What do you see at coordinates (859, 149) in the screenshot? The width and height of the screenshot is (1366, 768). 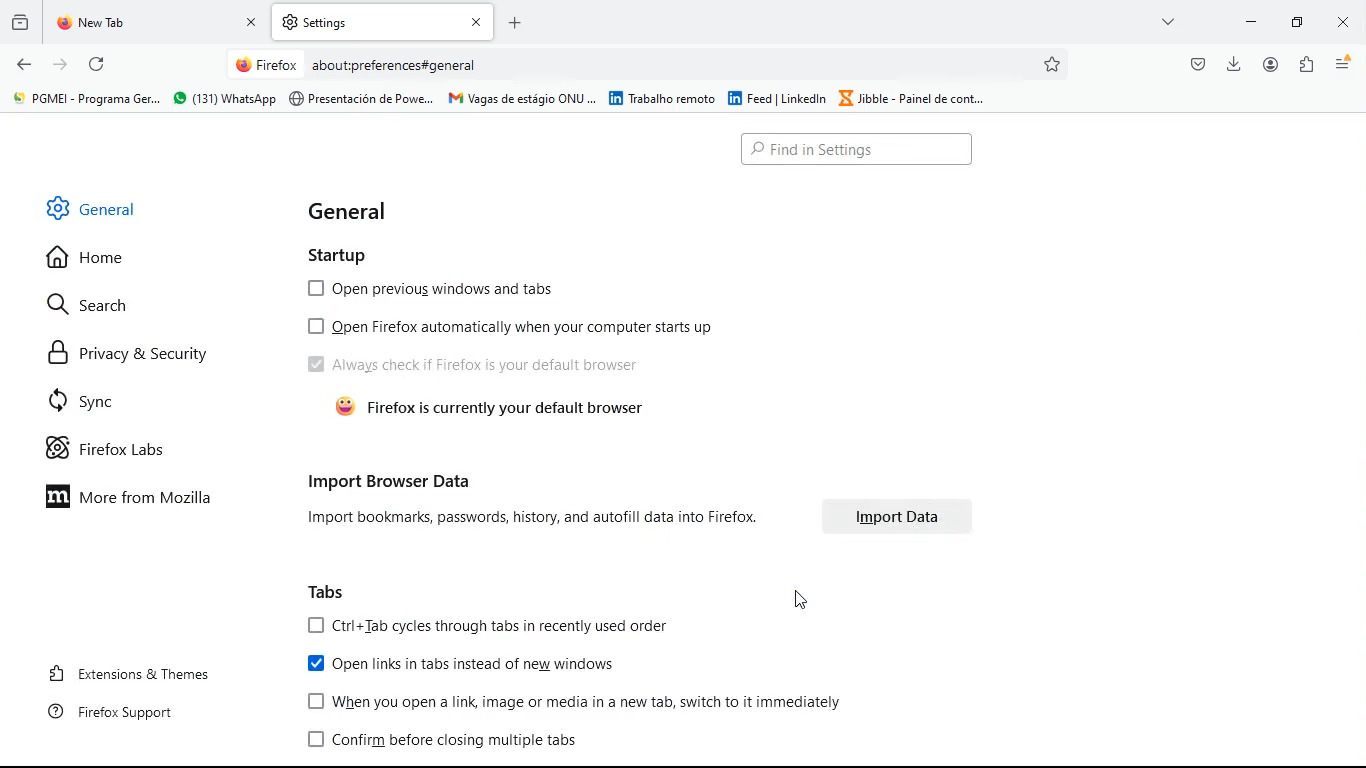 I see `Search bar` at bounding box center [859, 149].